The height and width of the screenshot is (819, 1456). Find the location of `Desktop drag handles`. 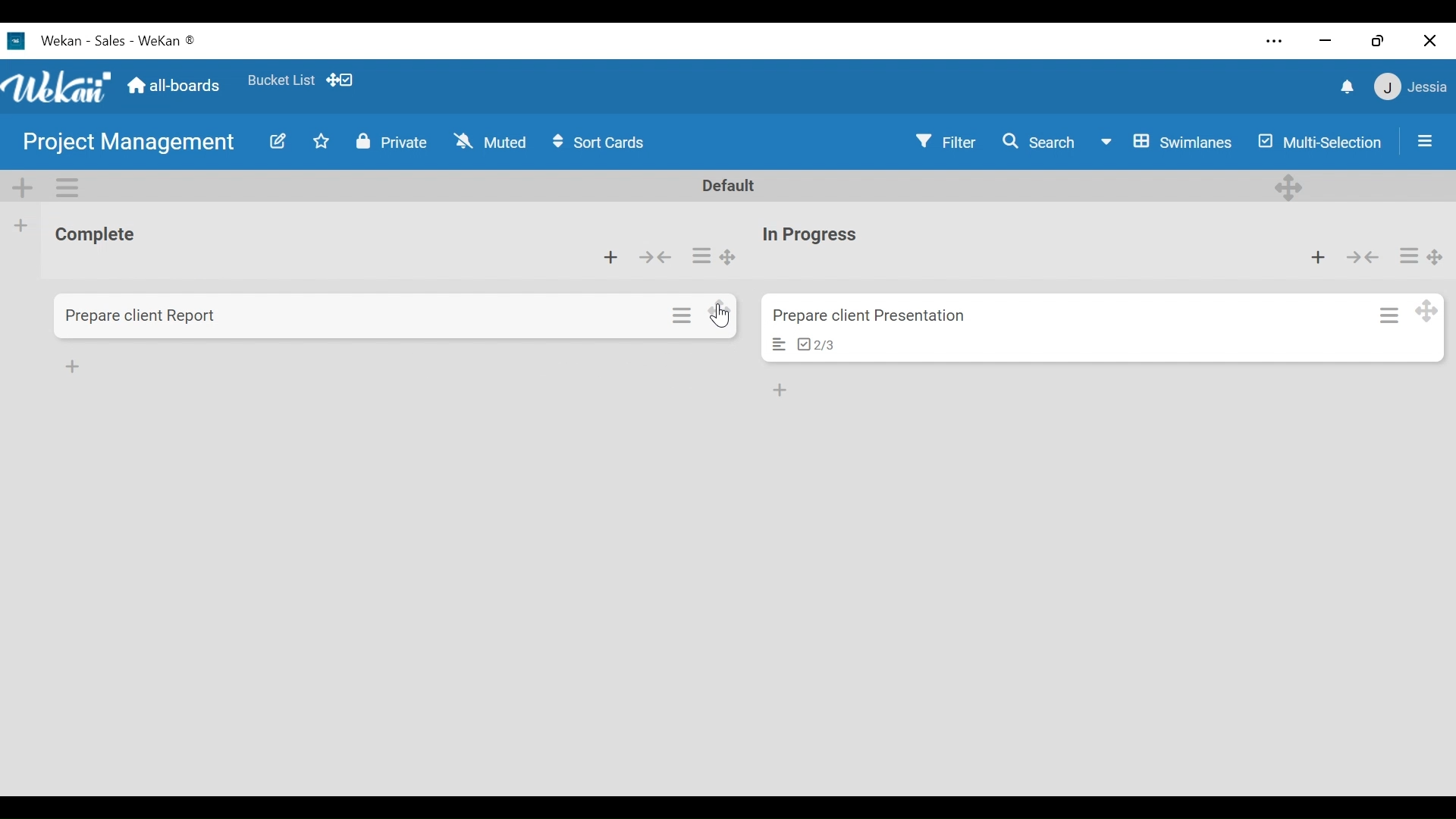

Desktop drag handles is located at coordinates (1425, 318).